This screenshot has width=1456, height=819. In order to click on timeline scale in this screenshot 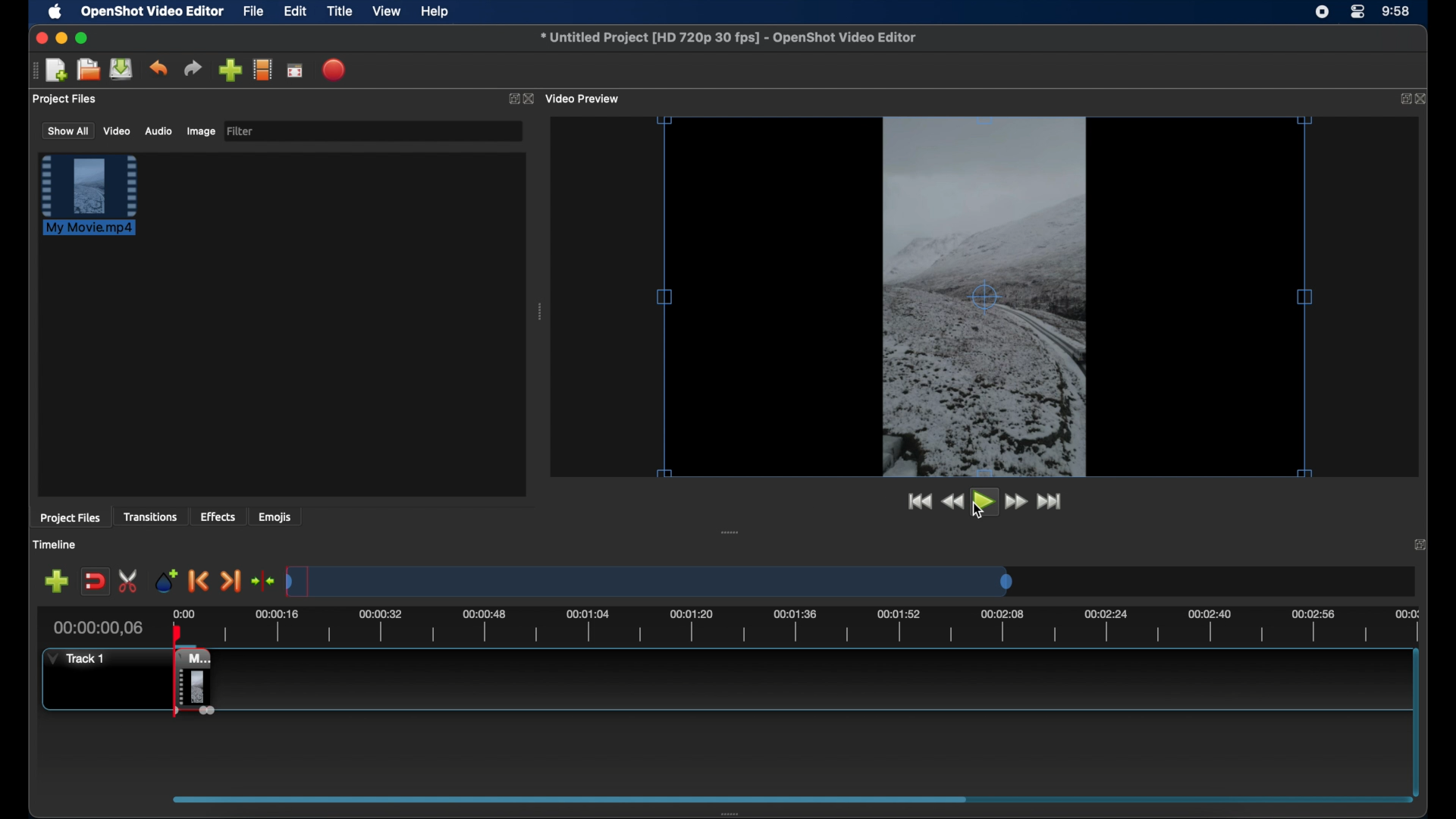, I will do `click(822, 626)`.